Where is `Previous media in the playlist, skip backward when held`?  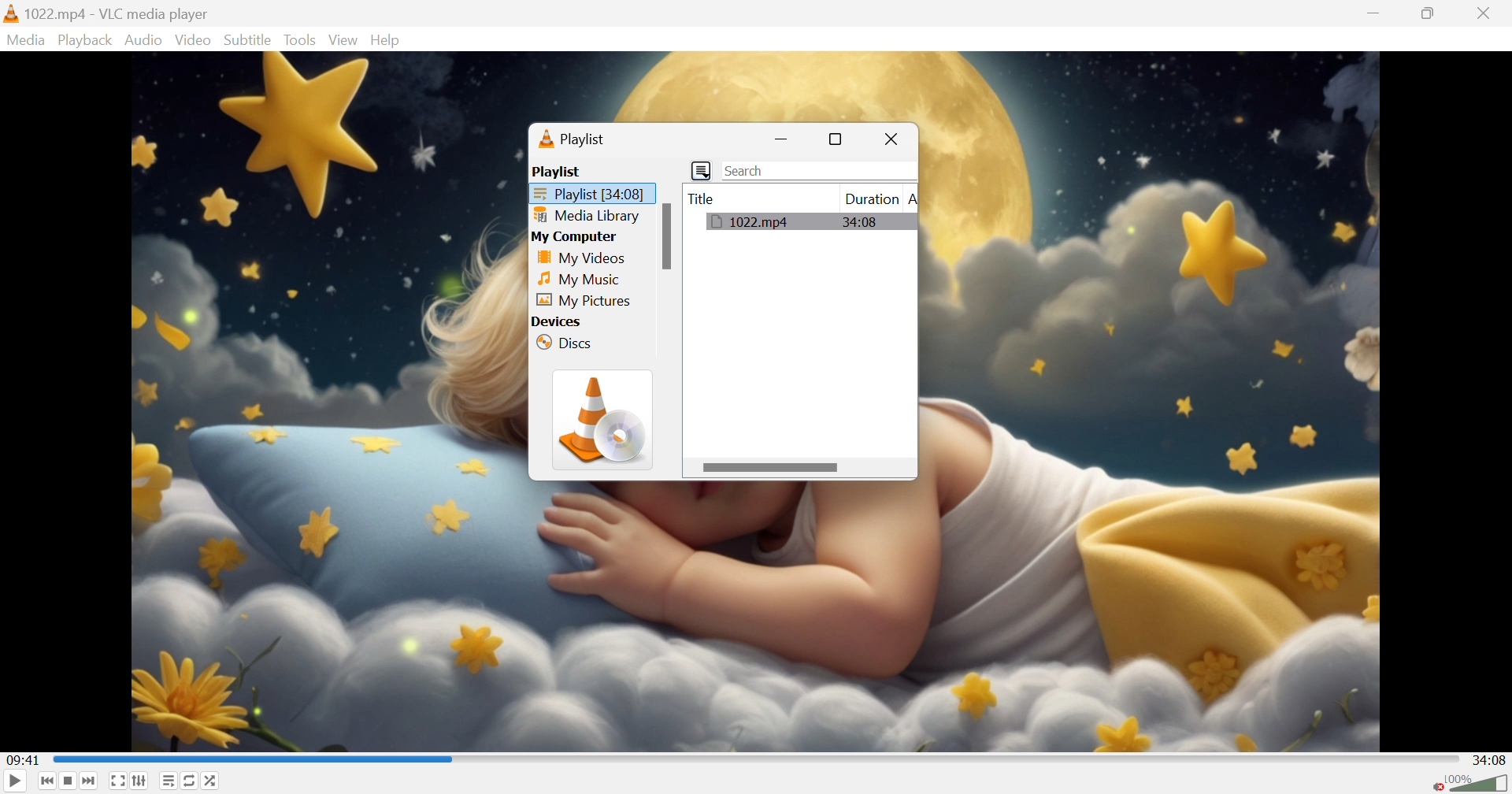 Previous media in the playlist, skip backward when held is located at coordinates (48, 782).